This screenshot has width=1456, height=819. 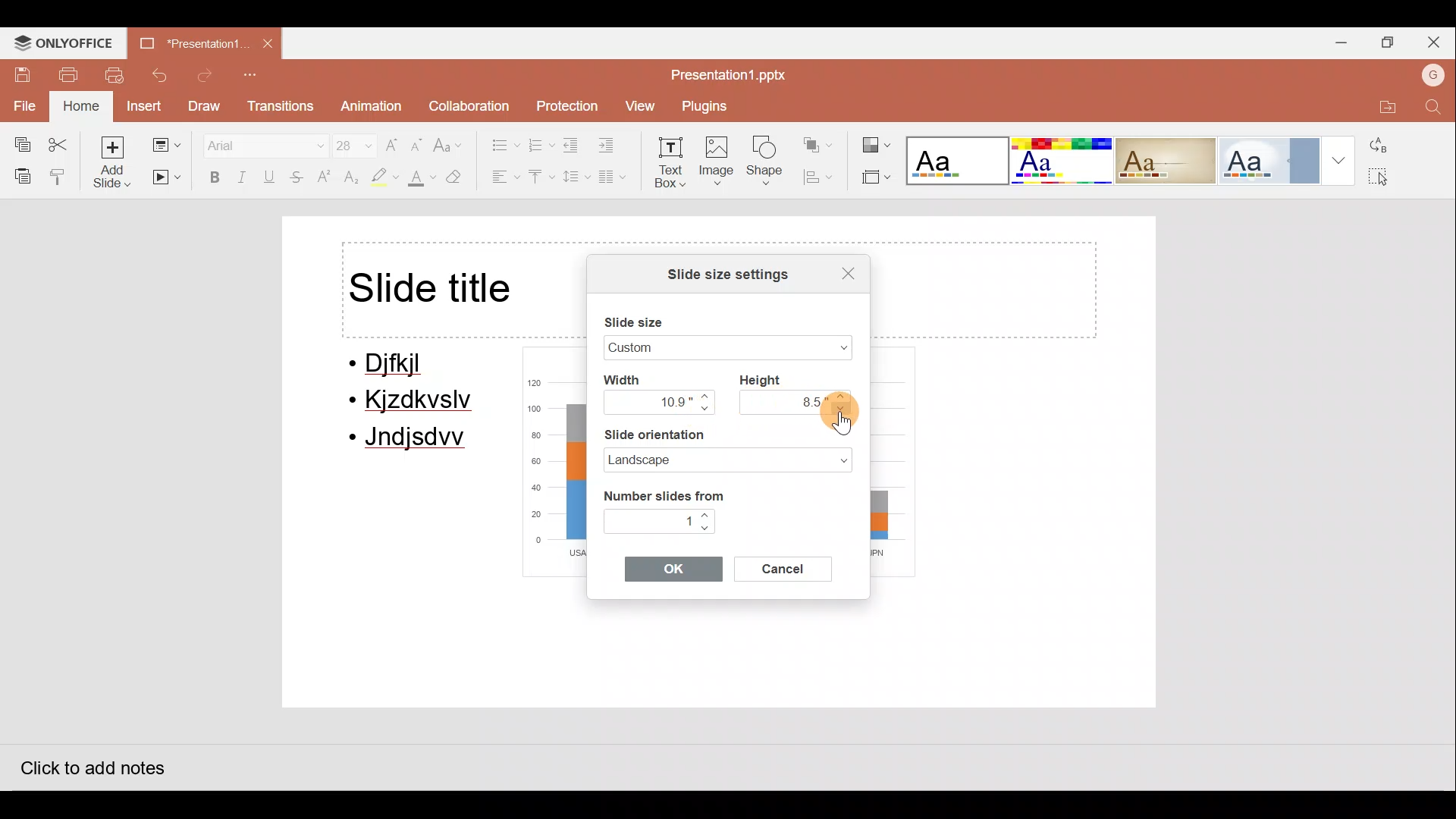 What do you see at coordinates (1277, 158) in the screenshot?
I see `Theme 4` at bounding box center [1277, 158].